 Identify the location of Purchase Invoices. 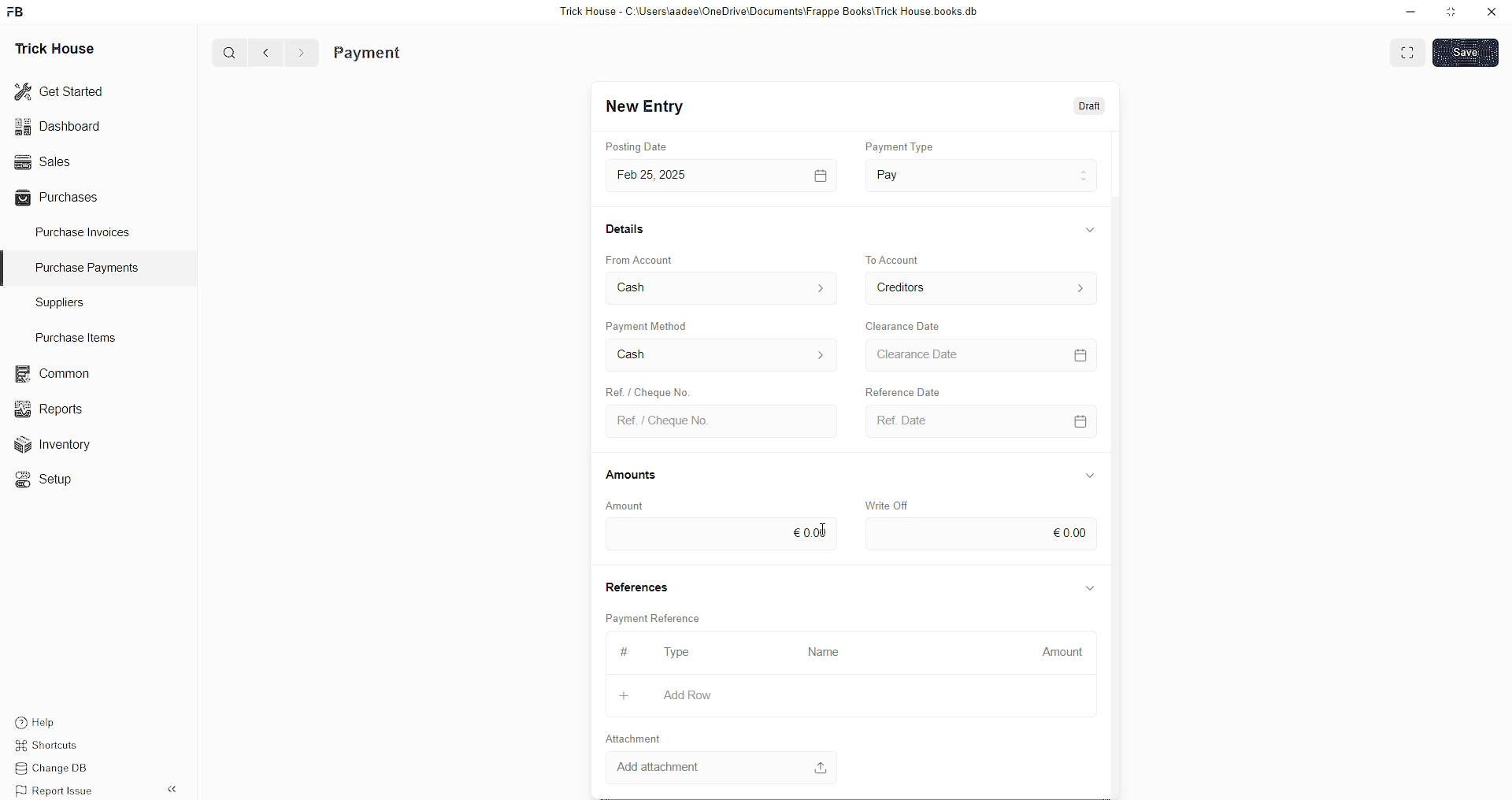
(85, 231).